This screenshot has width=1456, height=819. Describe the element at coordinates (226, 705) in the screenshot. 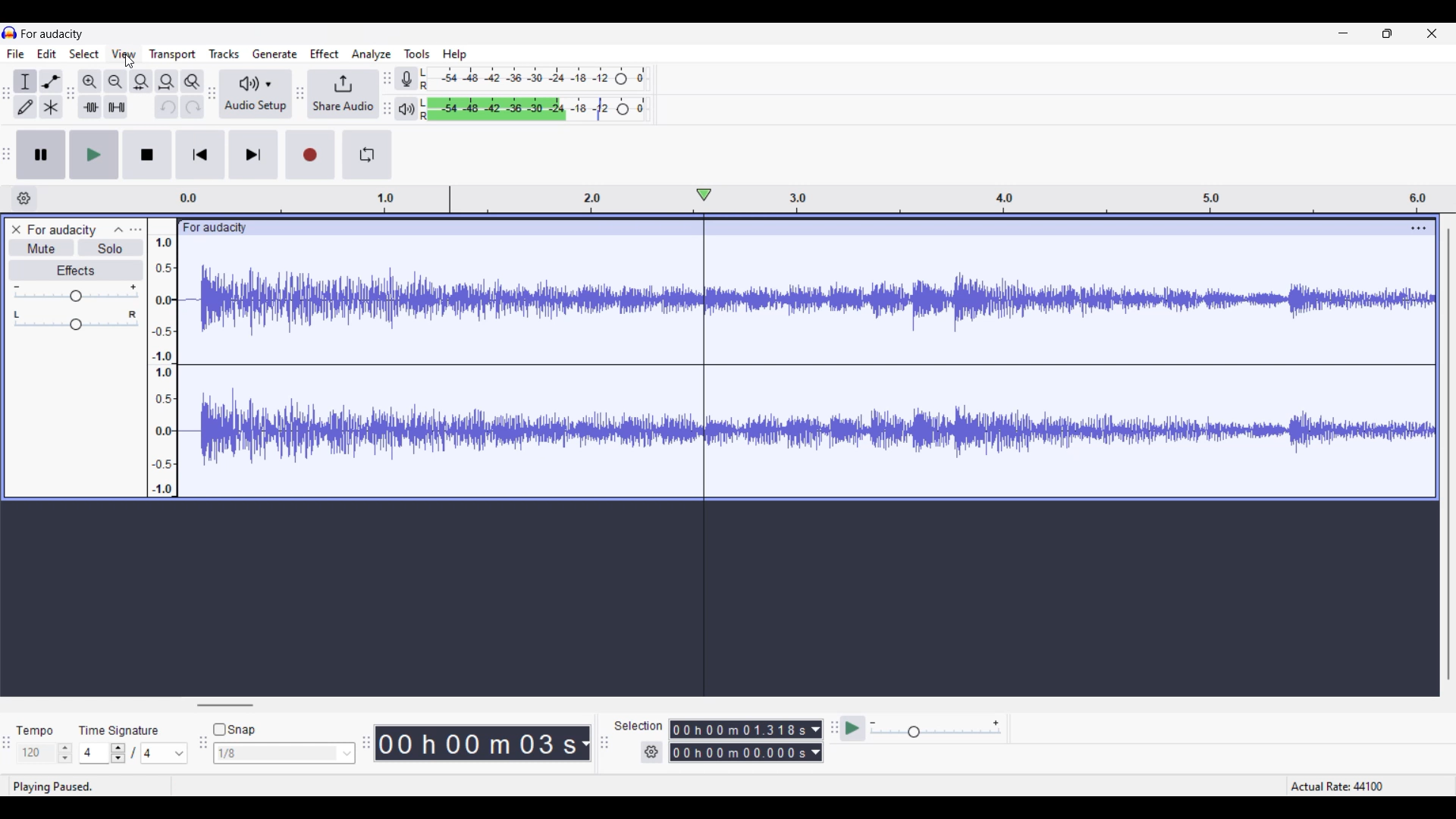

I see `Horizontal slide bar` at that location.